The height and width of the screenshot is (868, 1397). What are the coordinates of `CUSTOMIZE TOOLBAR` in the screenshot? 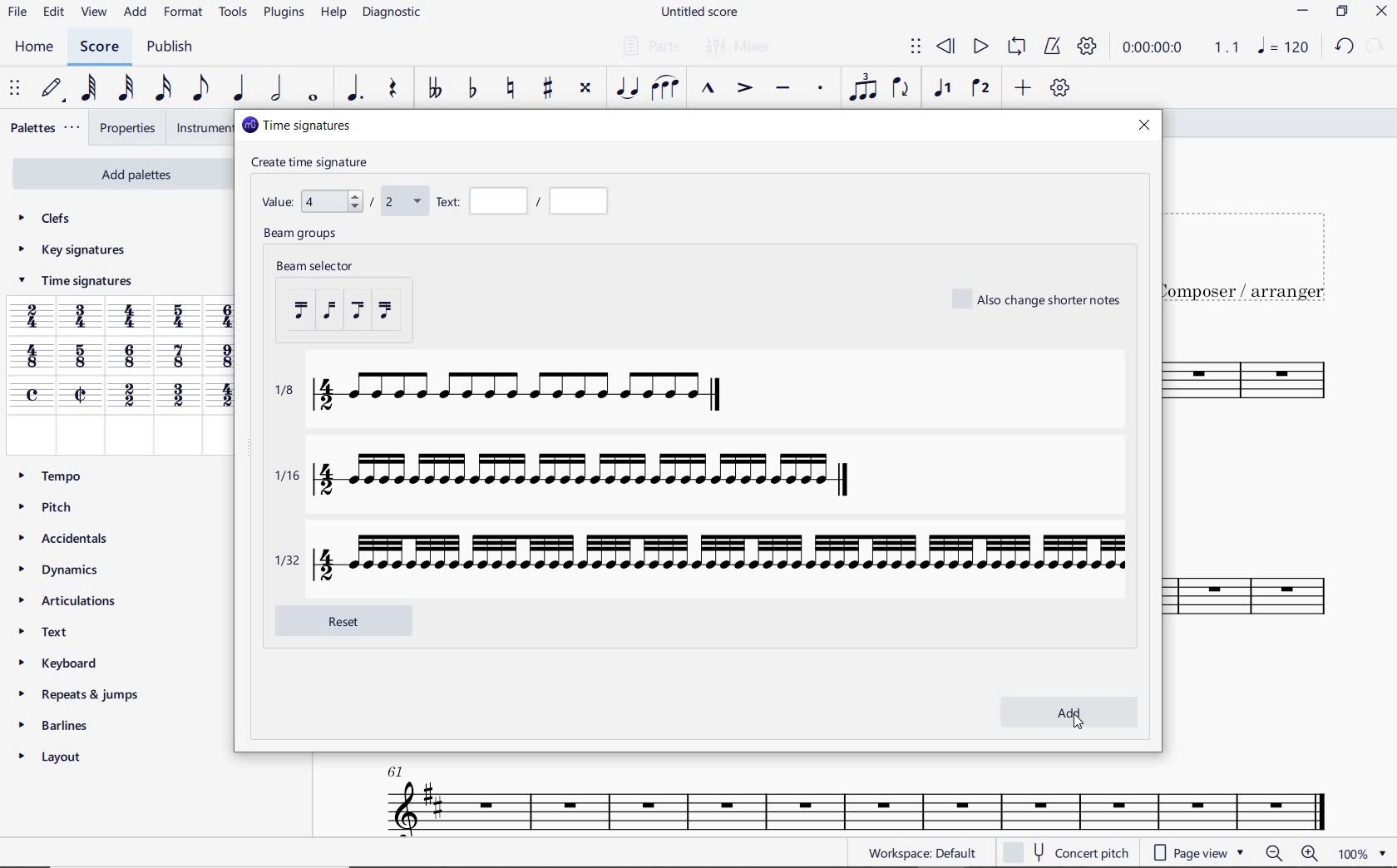 It's located at (1058, 87).